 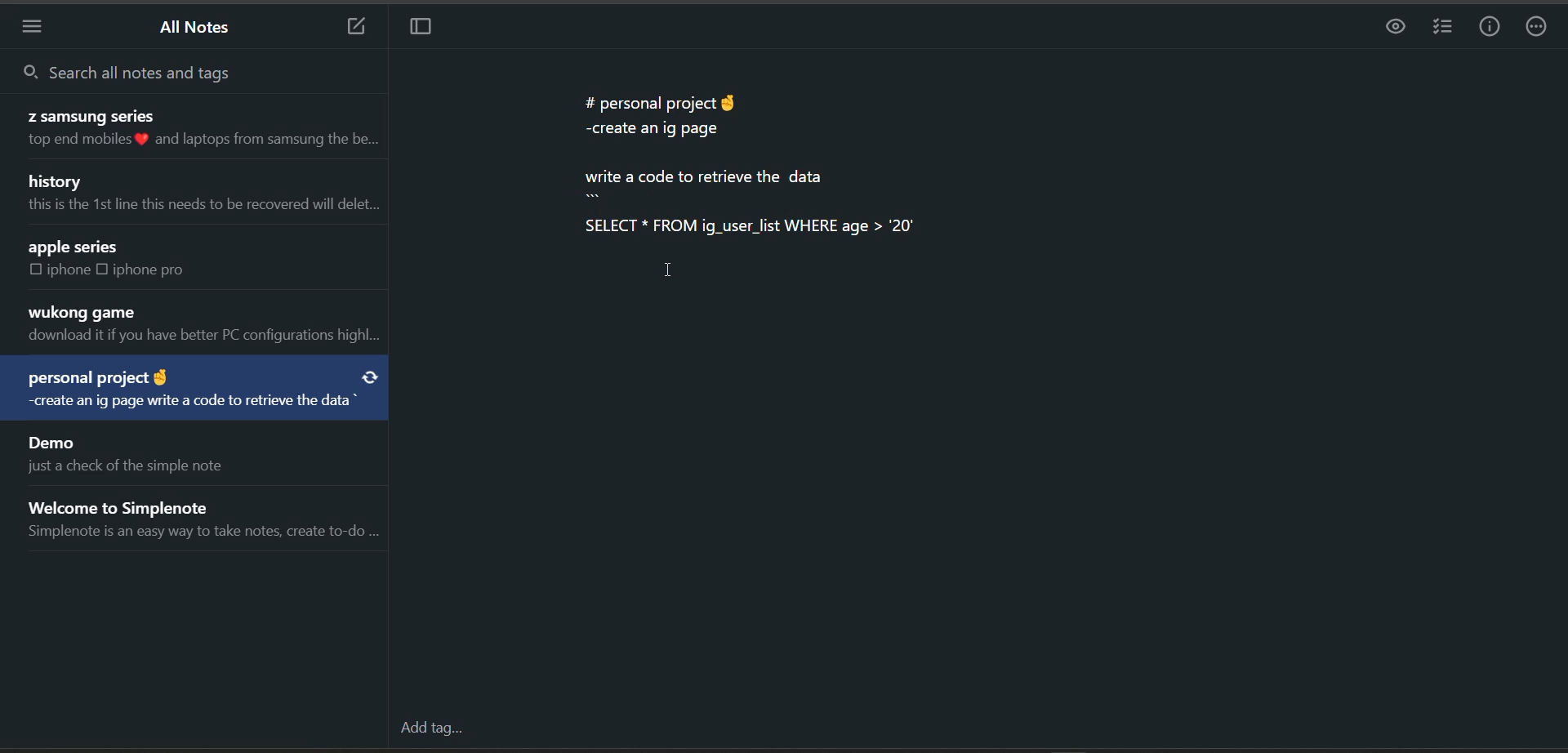 I want to click on note title  and preview, so click(x=191, y=128).